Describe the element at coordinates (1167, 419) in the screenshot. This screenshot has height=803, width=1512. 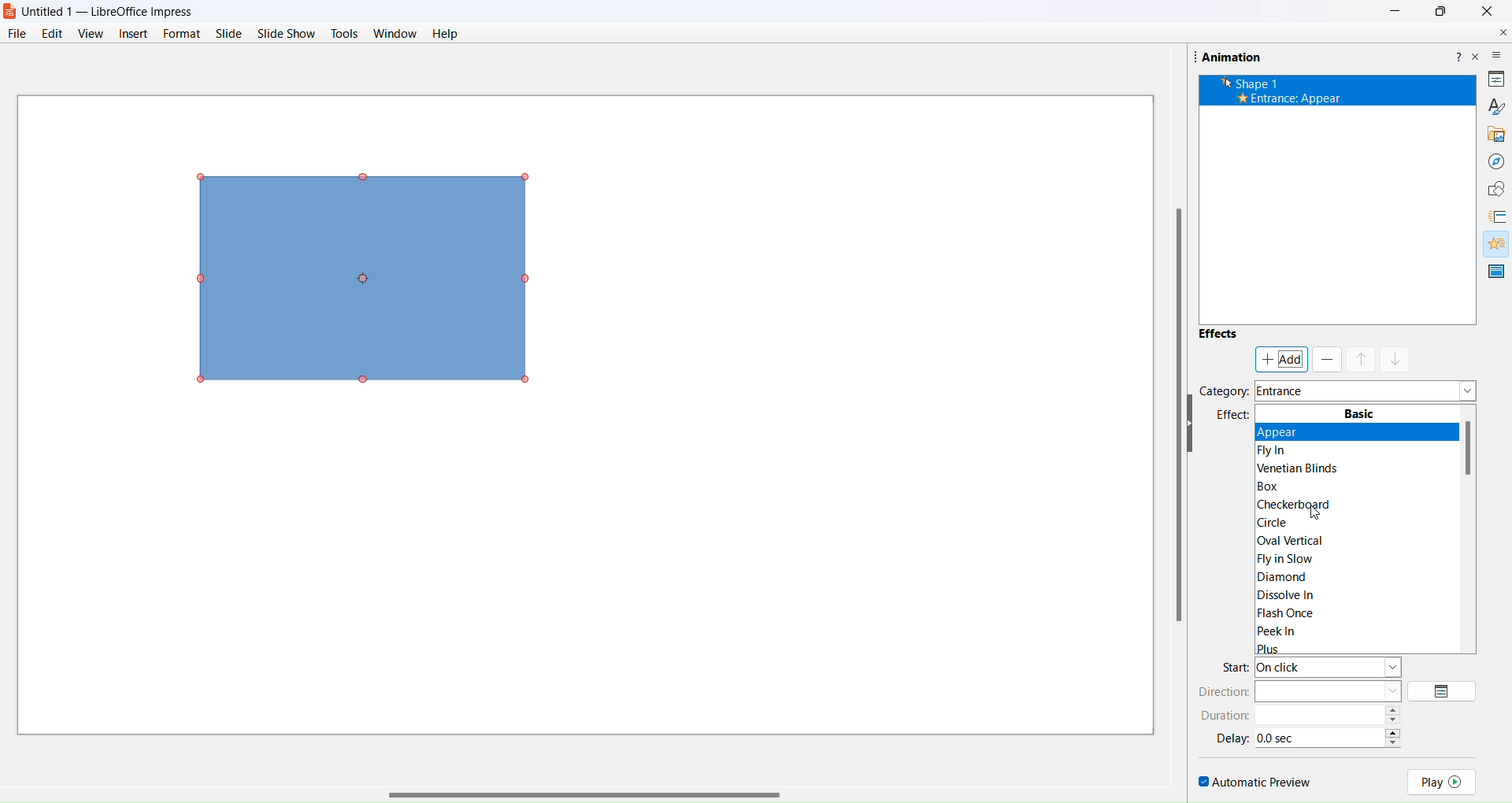
I see `scroll bar` at that location.